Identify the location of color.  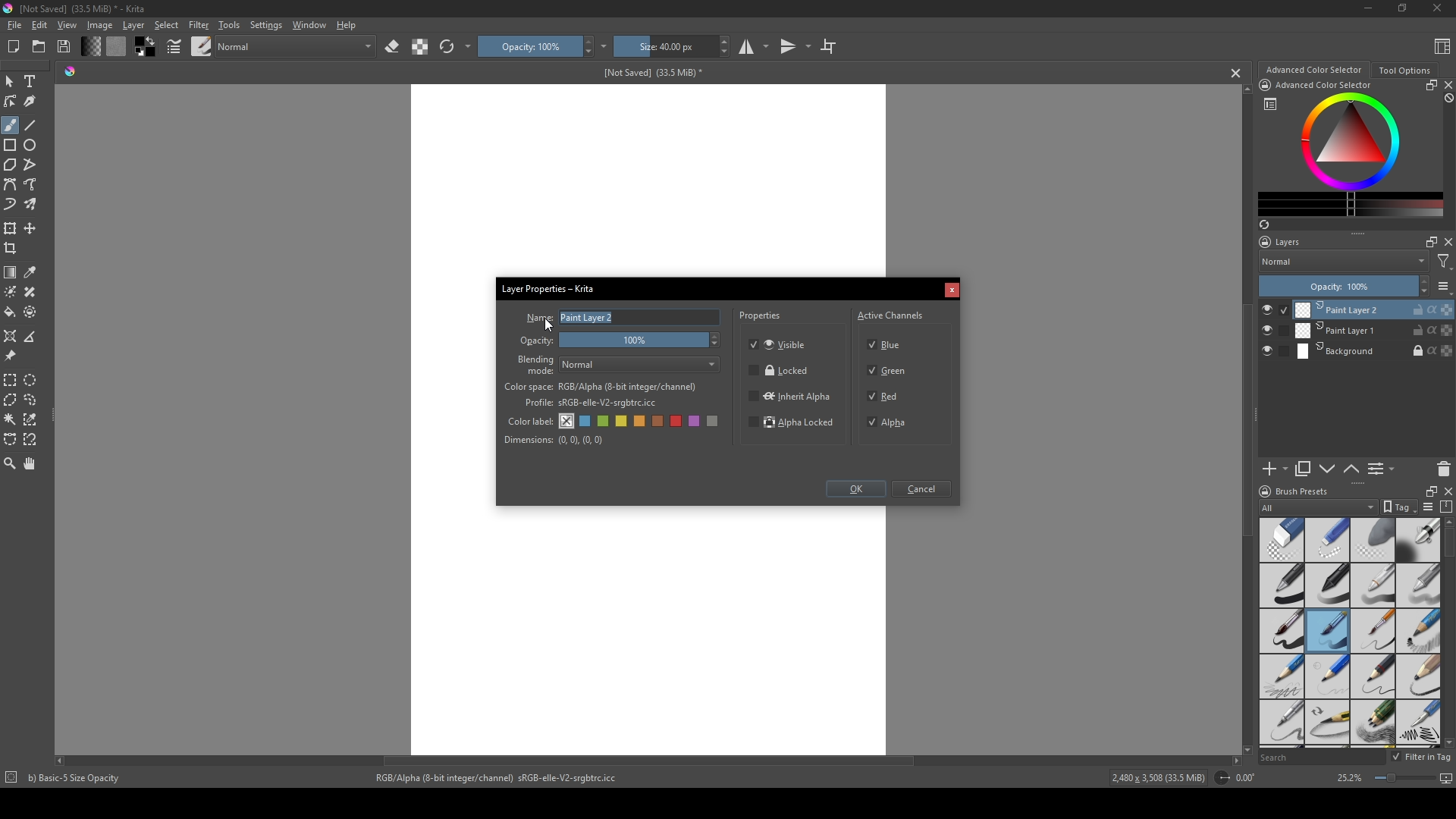
(115, 46).